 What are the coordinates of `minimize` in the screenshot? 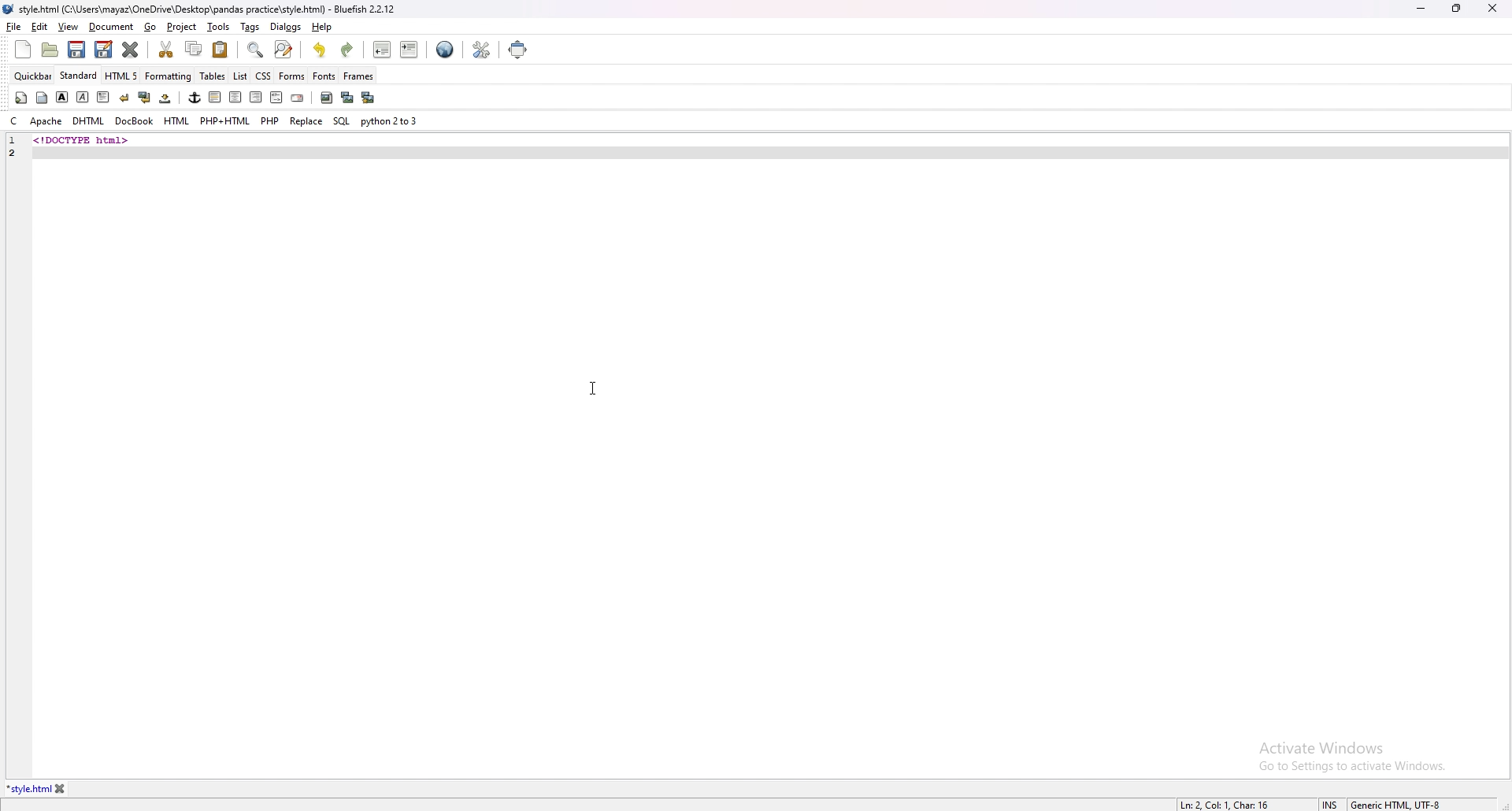 It's located at (1421, 9).